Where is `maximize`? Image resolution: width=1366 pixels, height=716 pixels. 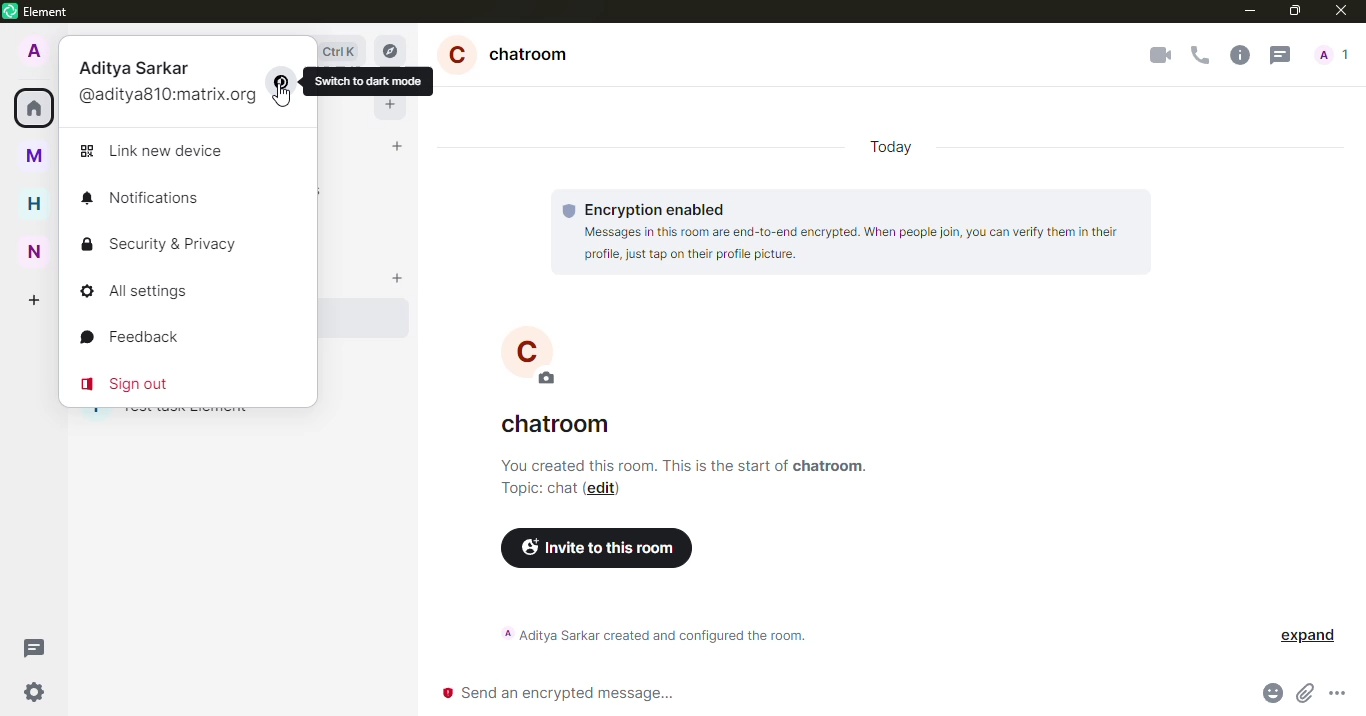
maximize is located at coordinates (1296, 9).